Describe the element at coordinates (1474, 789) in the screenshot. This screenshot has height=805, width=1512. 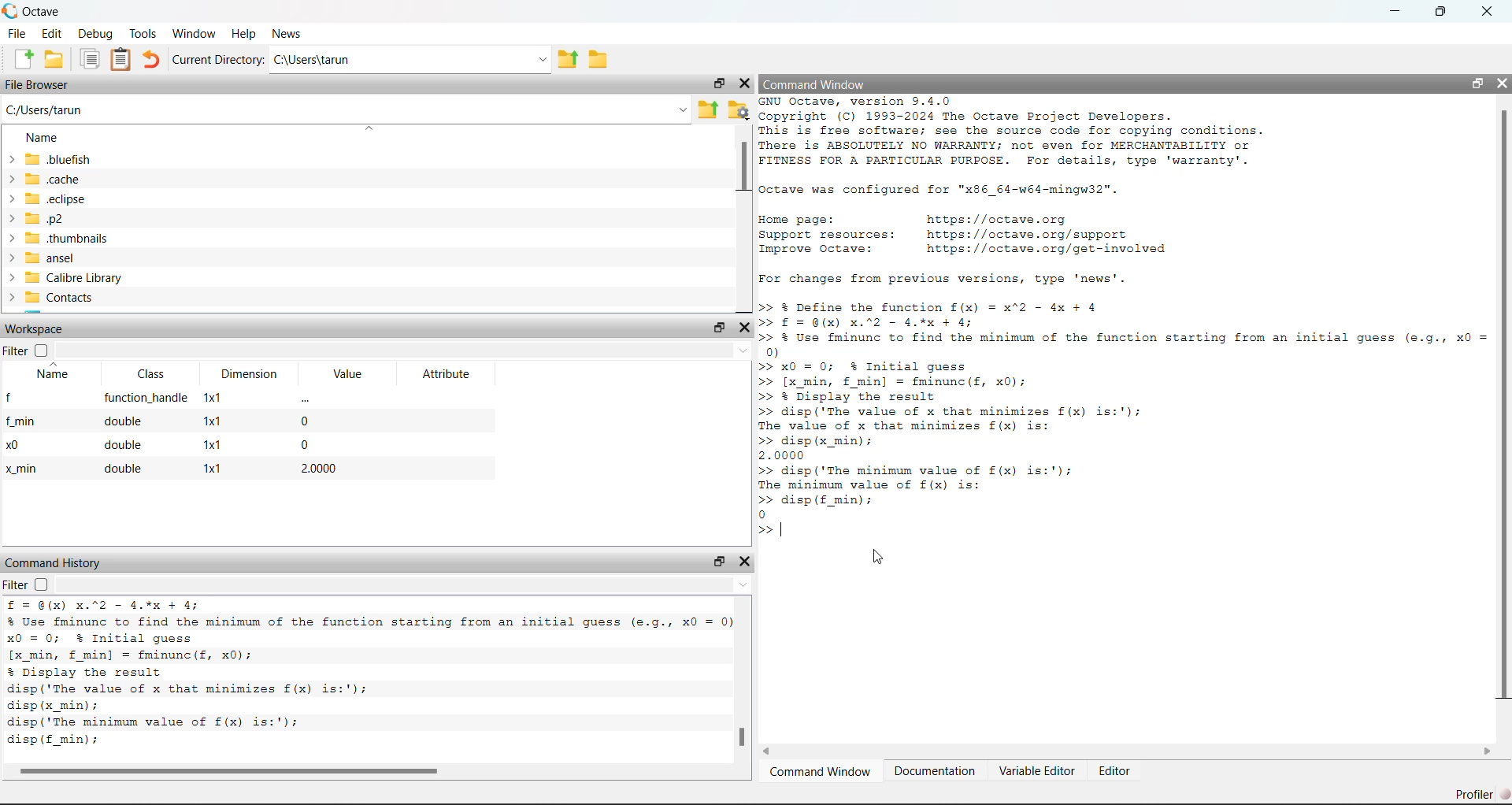
I see `Profiler` at that location.